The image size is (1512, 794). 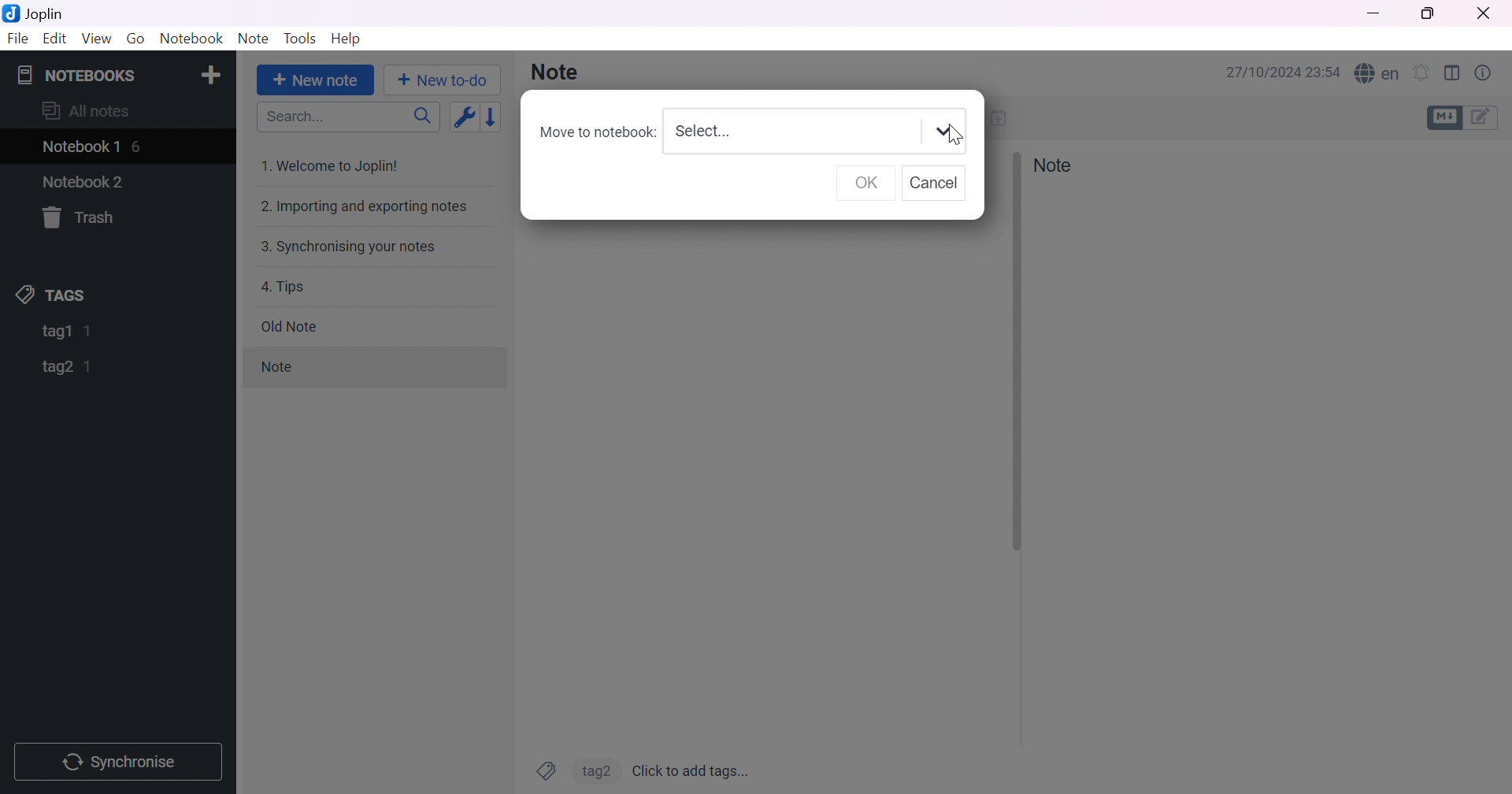 What do you see at coordinates (546, 770) in the screenshot?
I see `Tags` at bounding box center [546, 770].